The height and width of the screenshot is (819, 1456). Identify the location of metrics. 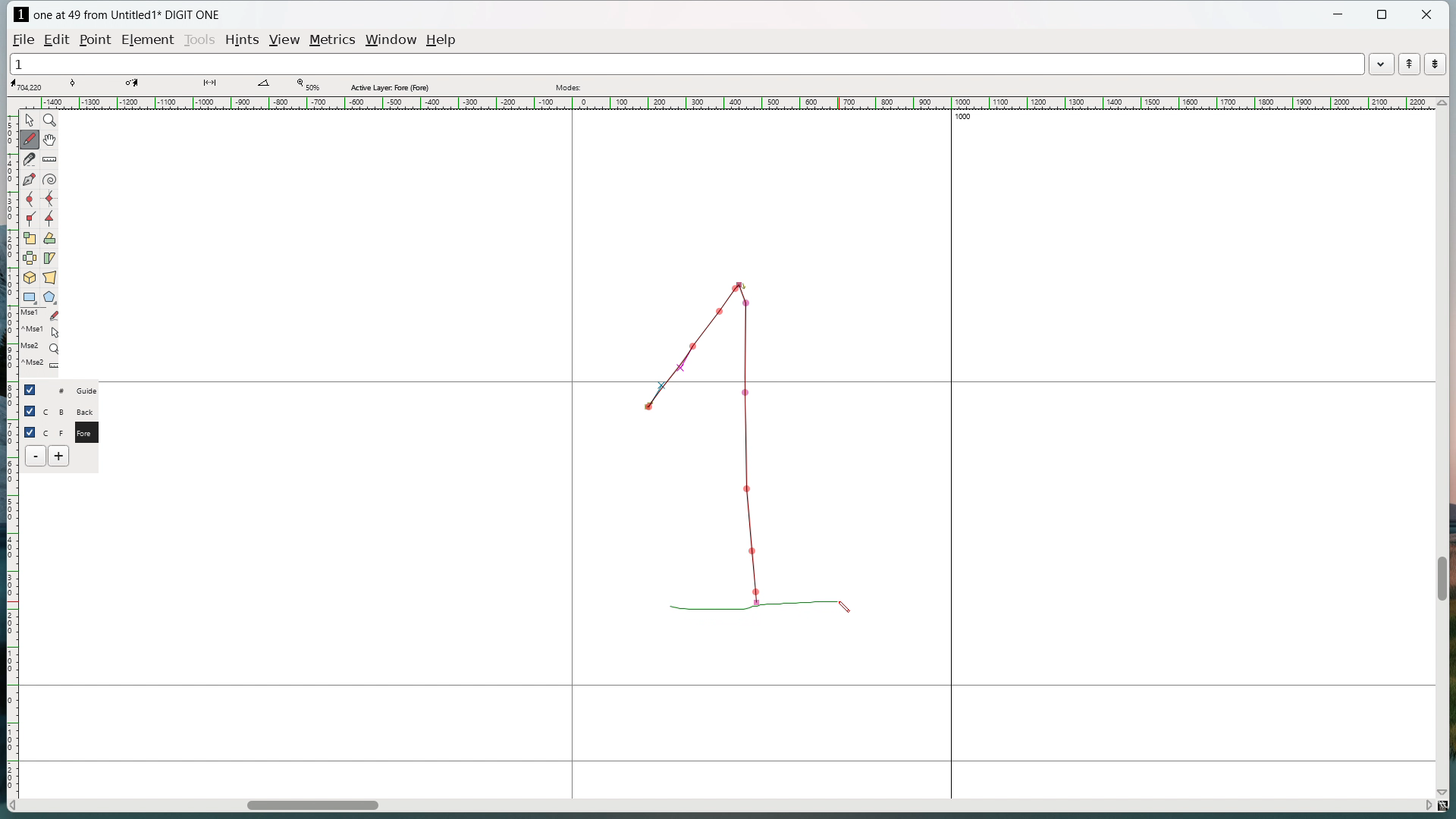
(334, 41).